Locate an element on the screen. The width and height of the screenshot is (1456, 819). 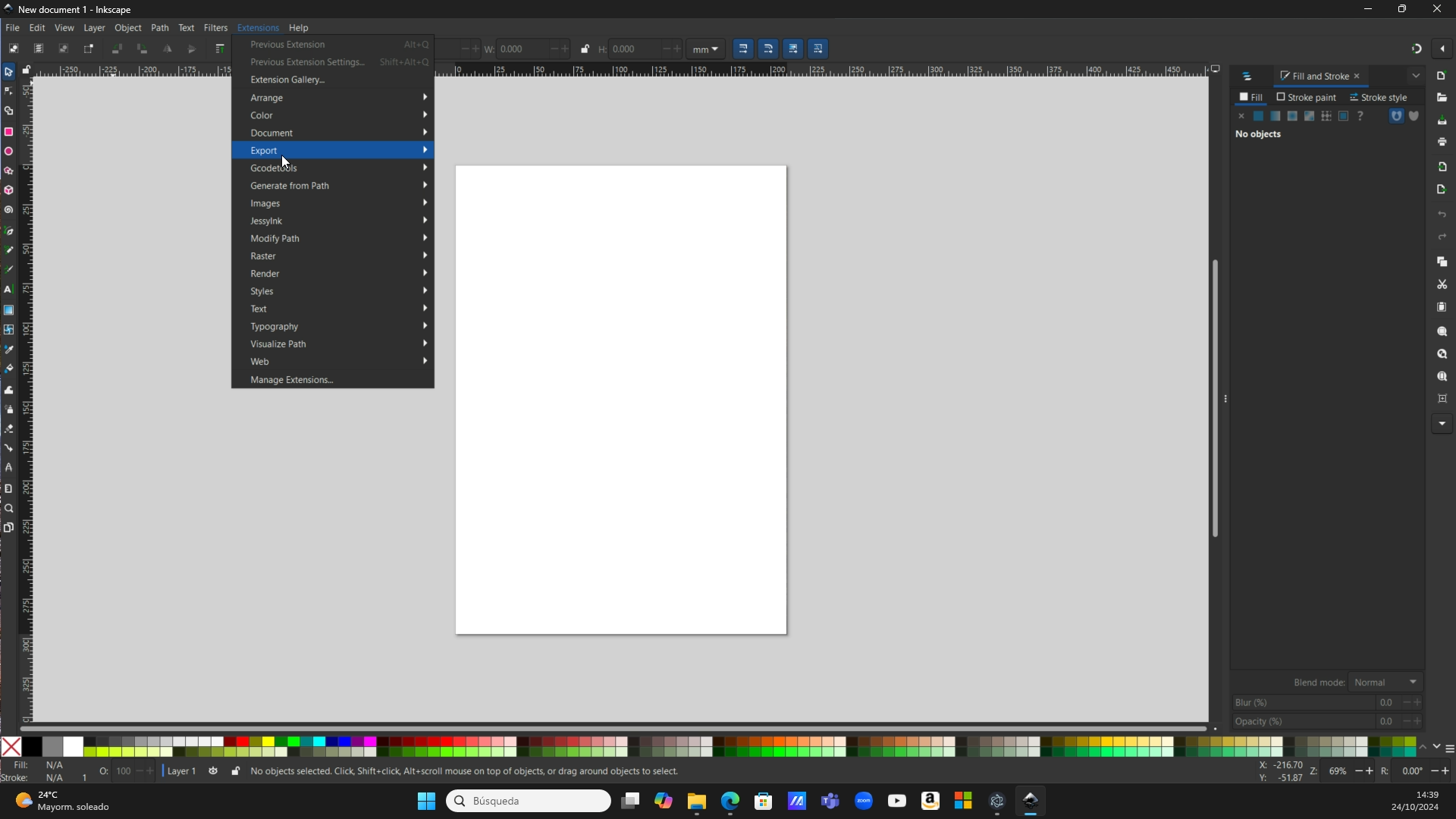
Generate from Path is located at coordinates (337, 185).